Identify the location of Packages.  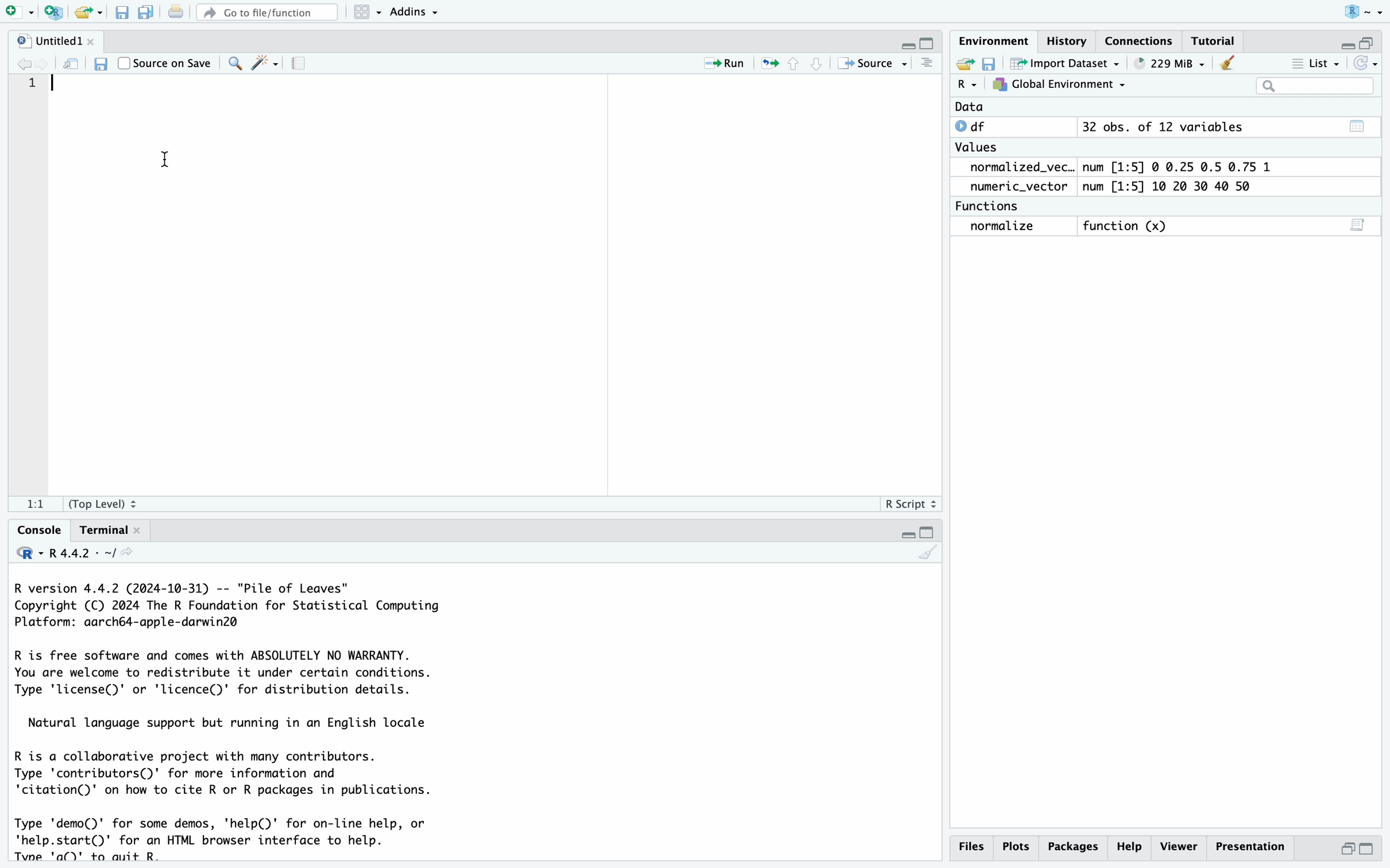
(1128, 847).